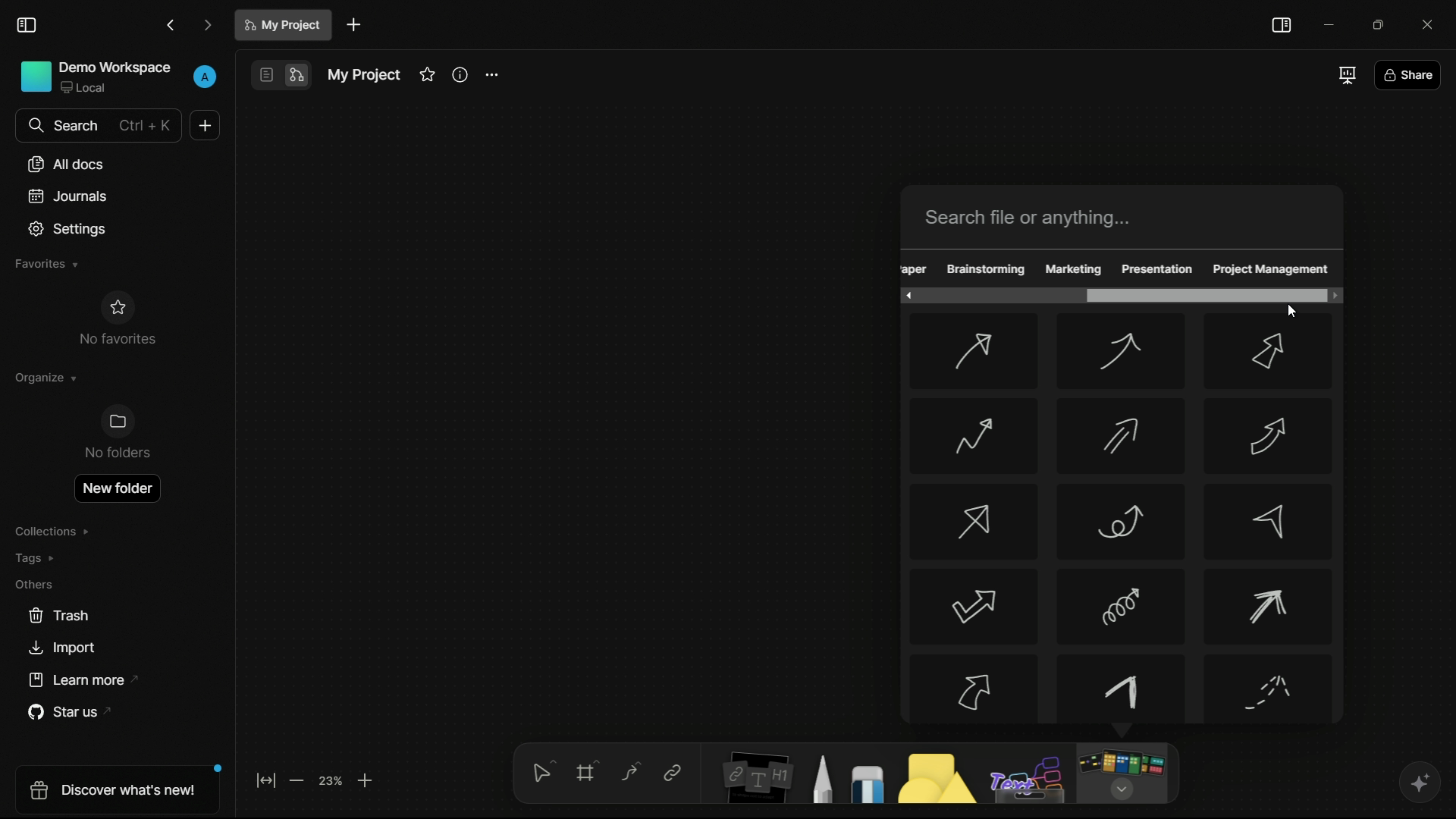 This screenshot has height=819, width=1456. I want to click on brainstorming, so click(985, 269).